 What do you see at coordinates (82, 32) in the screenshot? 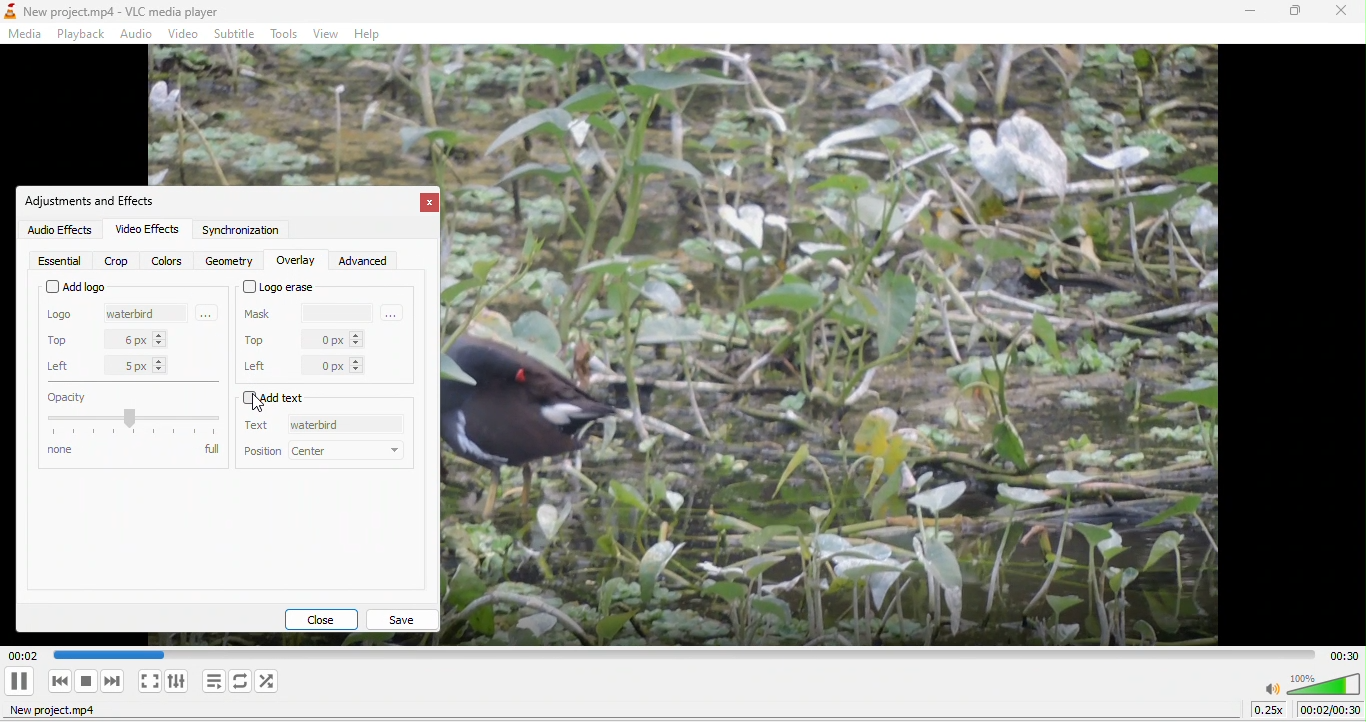
I see `playback` at bounding box center [82, 32].